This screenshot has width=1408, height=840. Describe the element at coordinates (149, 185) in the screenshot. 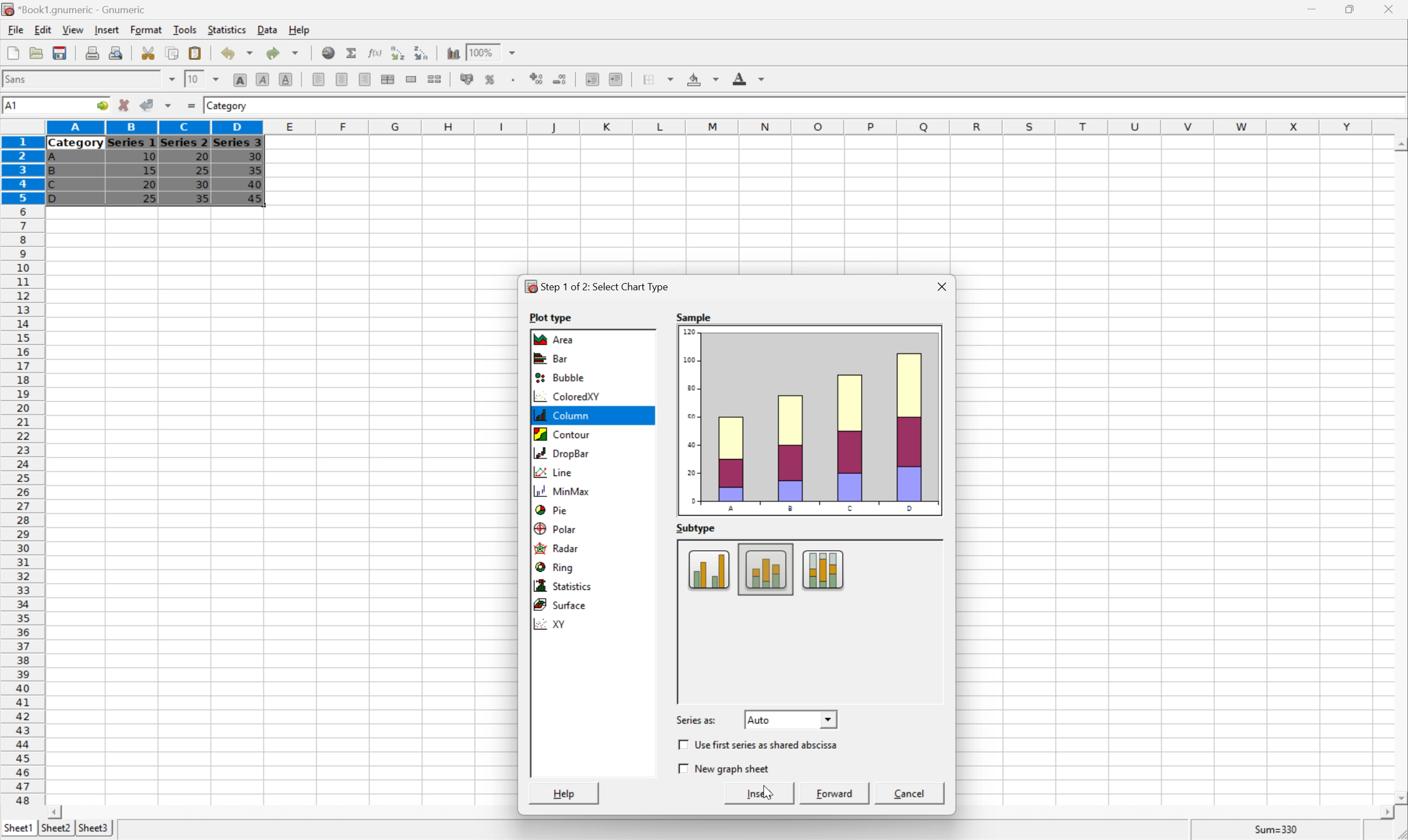

I see `20` at that location.